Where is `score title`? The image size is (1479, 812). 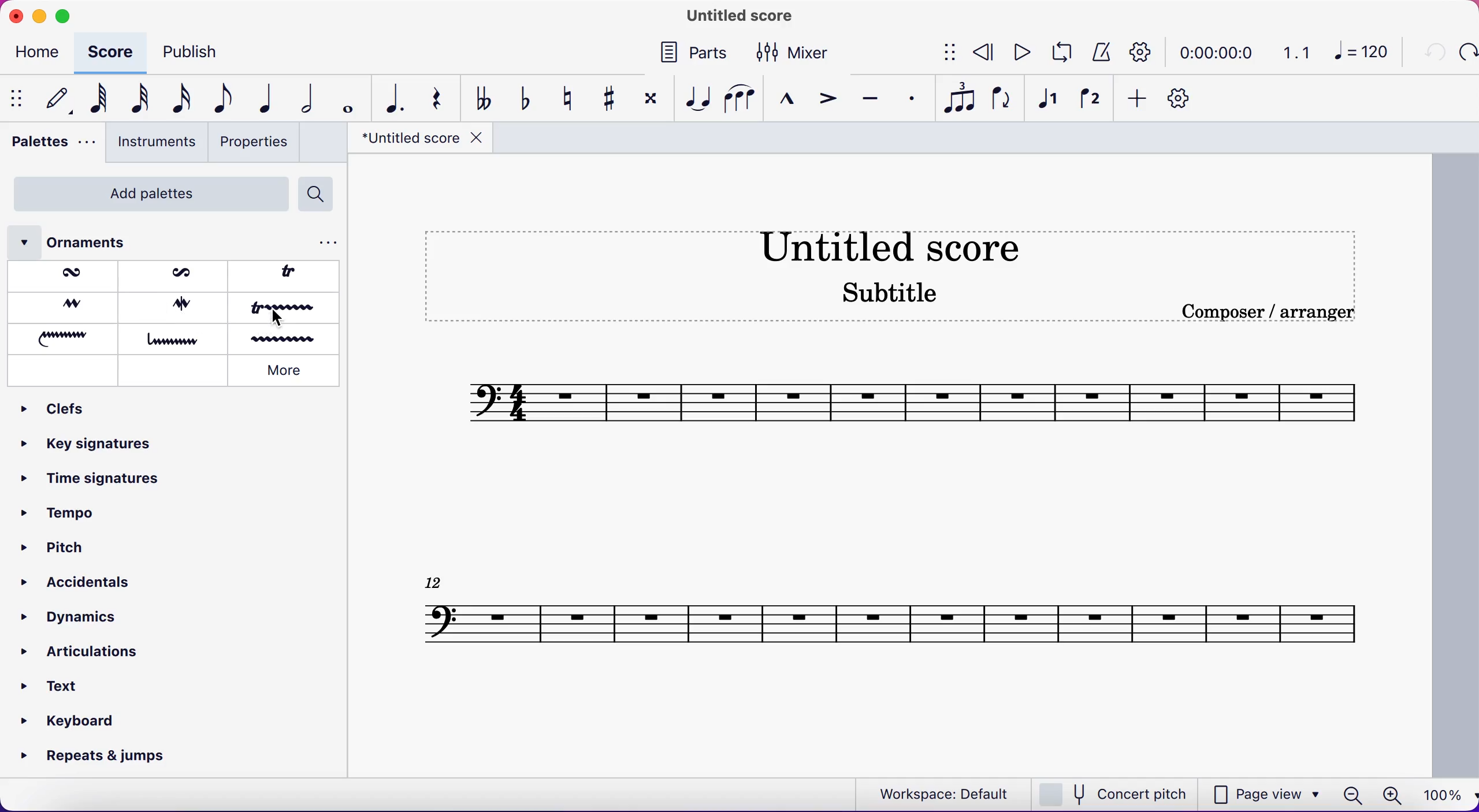 score title is located at coordinates (906, 246).